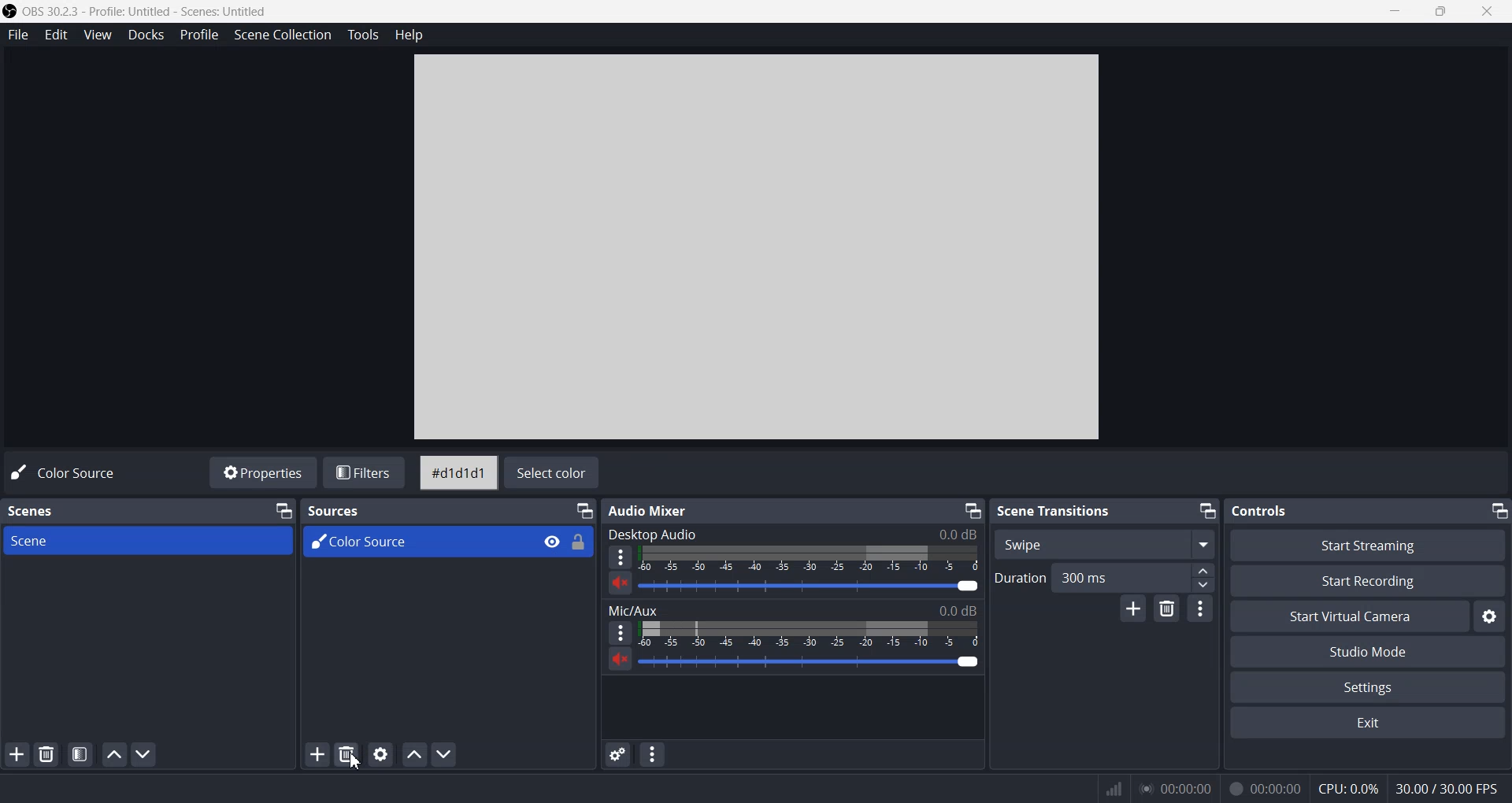 Image resolution: width=1512 pixels, height=803 pixels. Describe the element at coordinates (199, 35) in the screenshot. I see `Profile` at that location.